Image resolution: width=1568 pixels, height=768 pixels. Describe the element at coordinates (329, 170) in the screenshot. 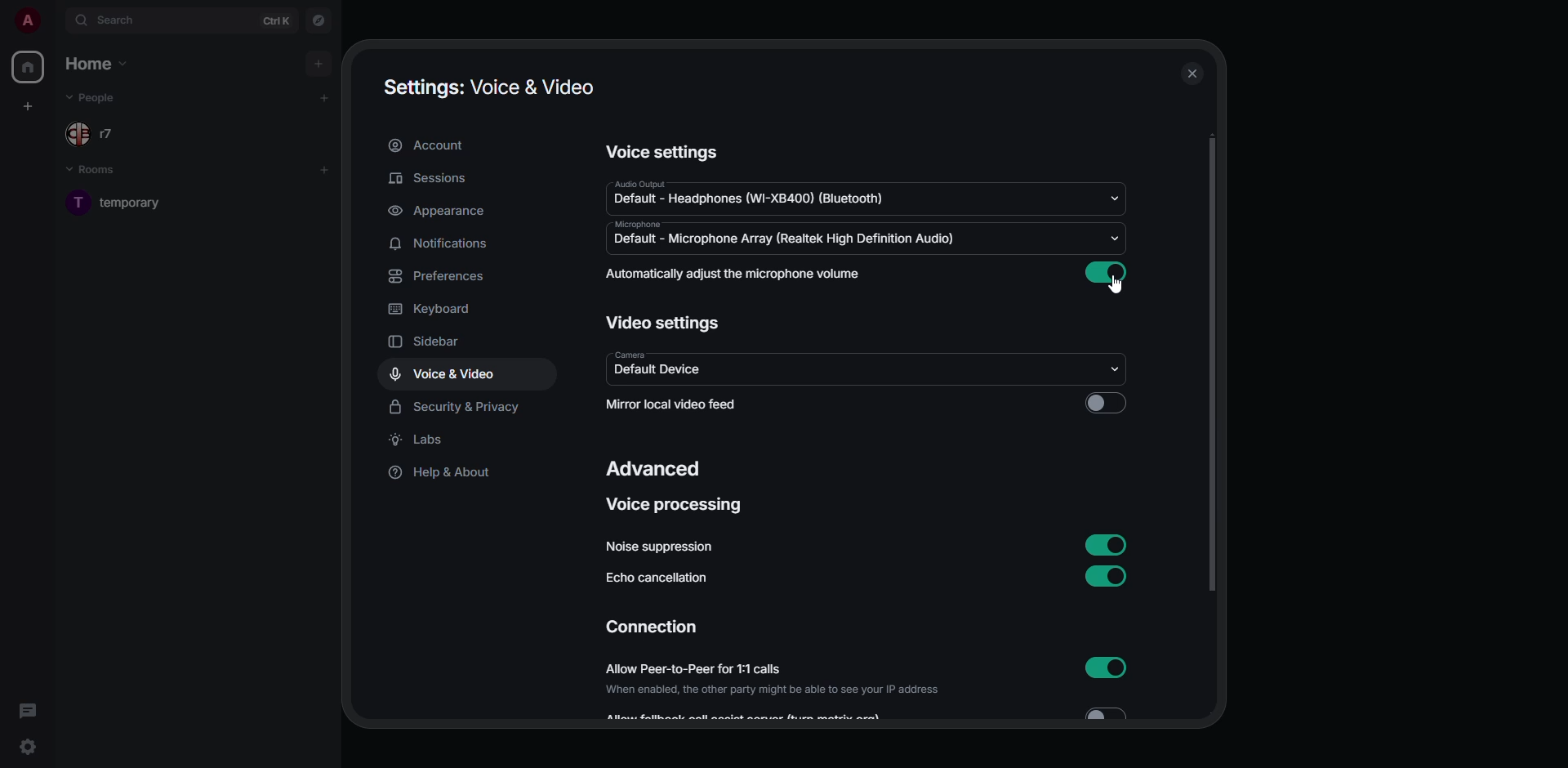

I see `add` at that location.